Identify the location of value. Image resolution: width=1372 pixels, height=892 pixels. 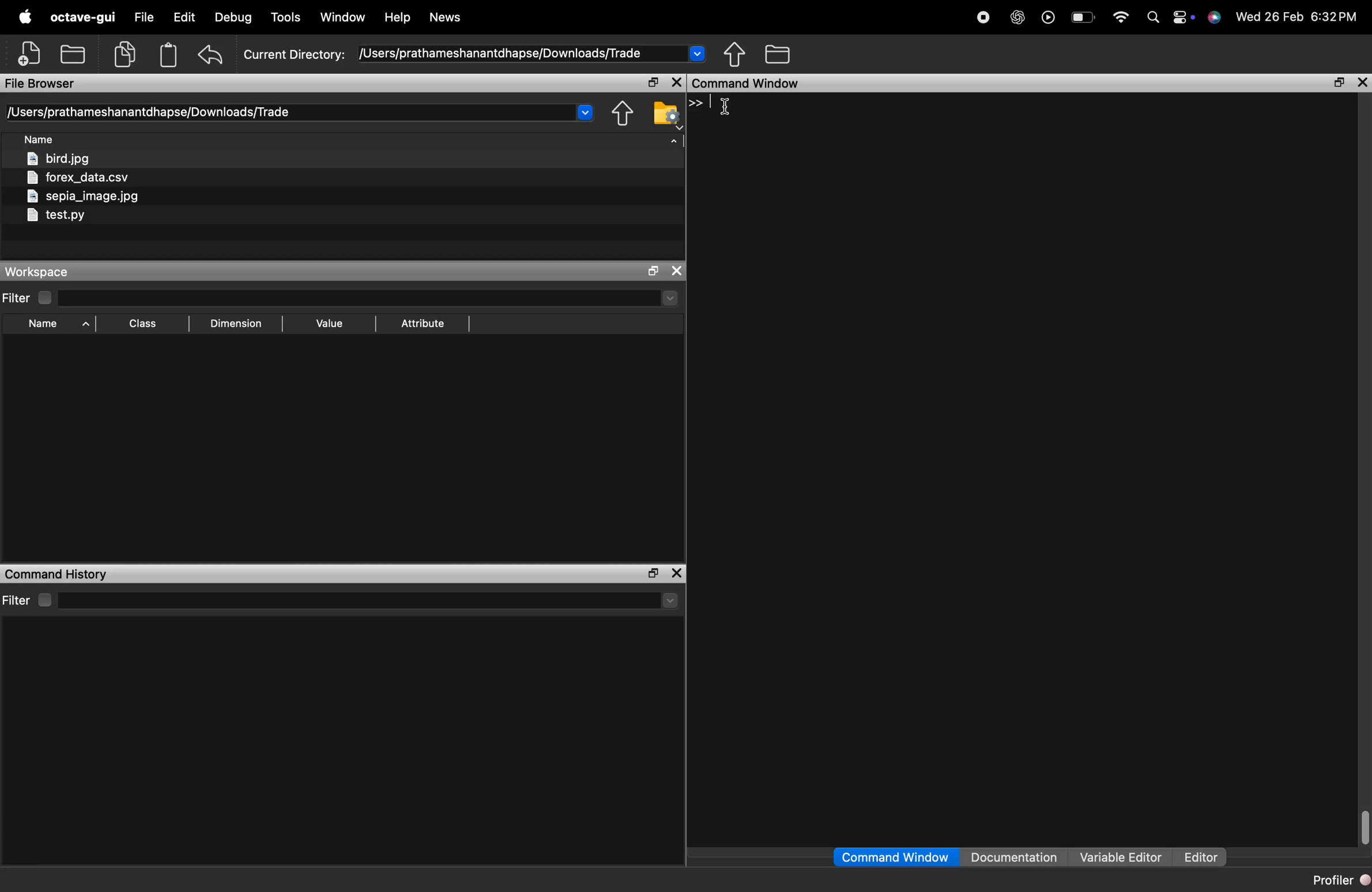
(333, 323).